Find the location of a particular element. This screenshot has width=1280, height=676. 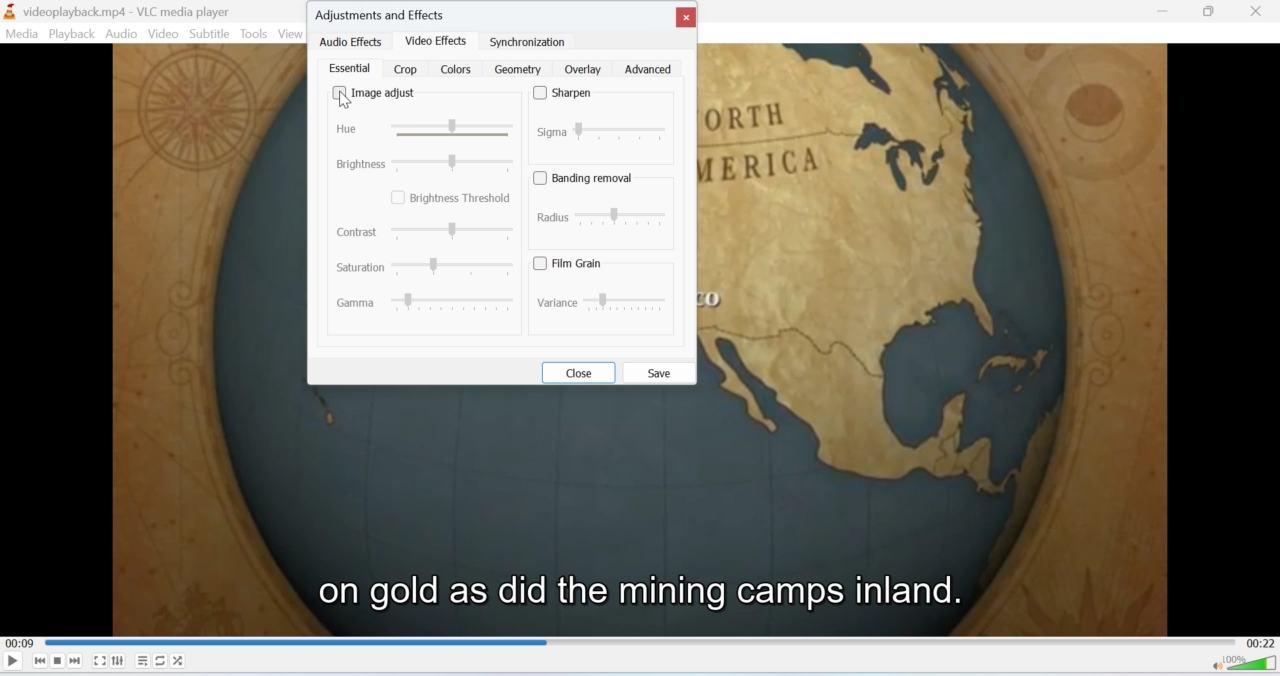

Playback is located at coordinates (72, 34).